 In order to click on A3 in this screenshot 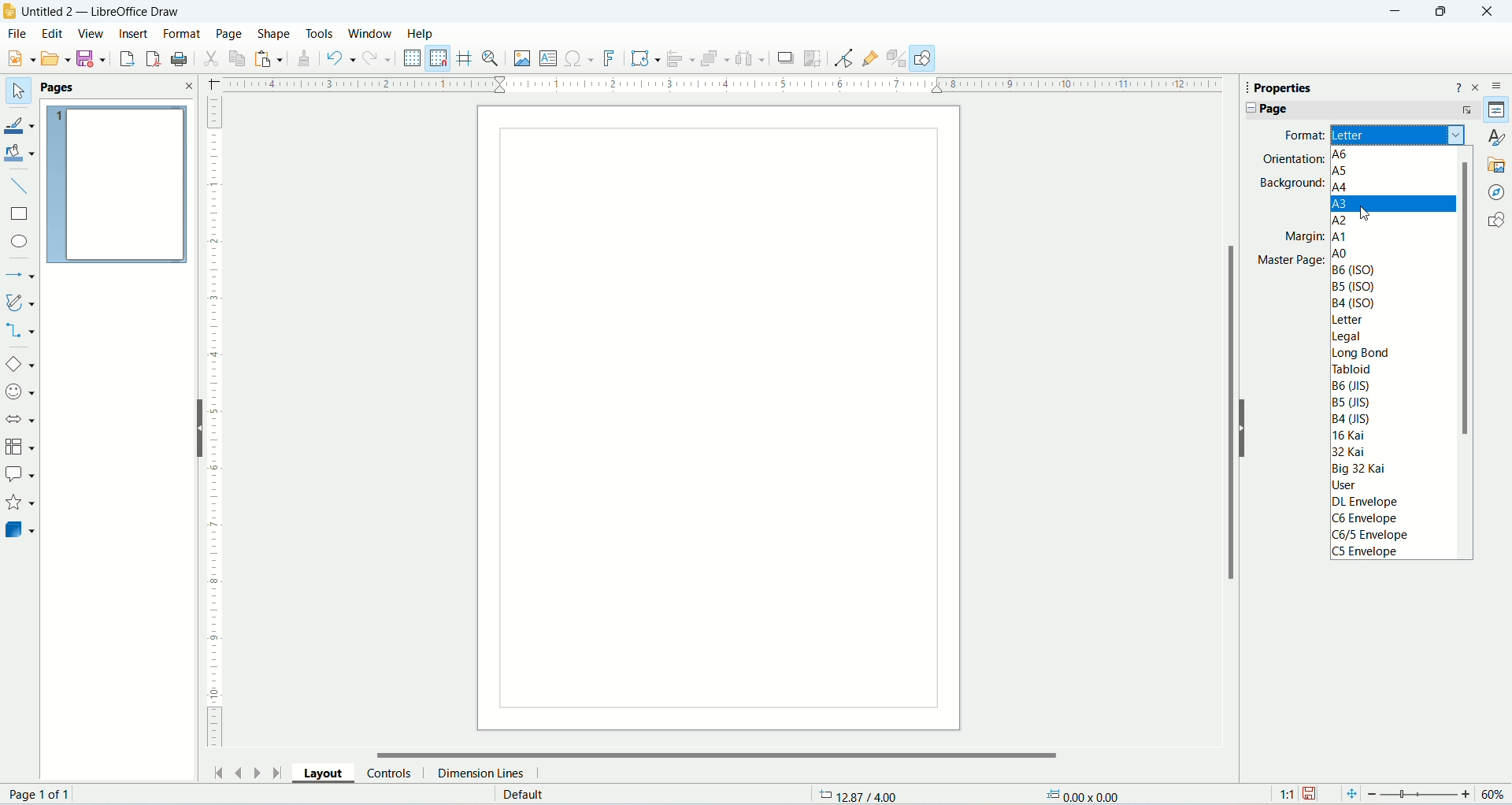, I will do `click(1393, 203)`.